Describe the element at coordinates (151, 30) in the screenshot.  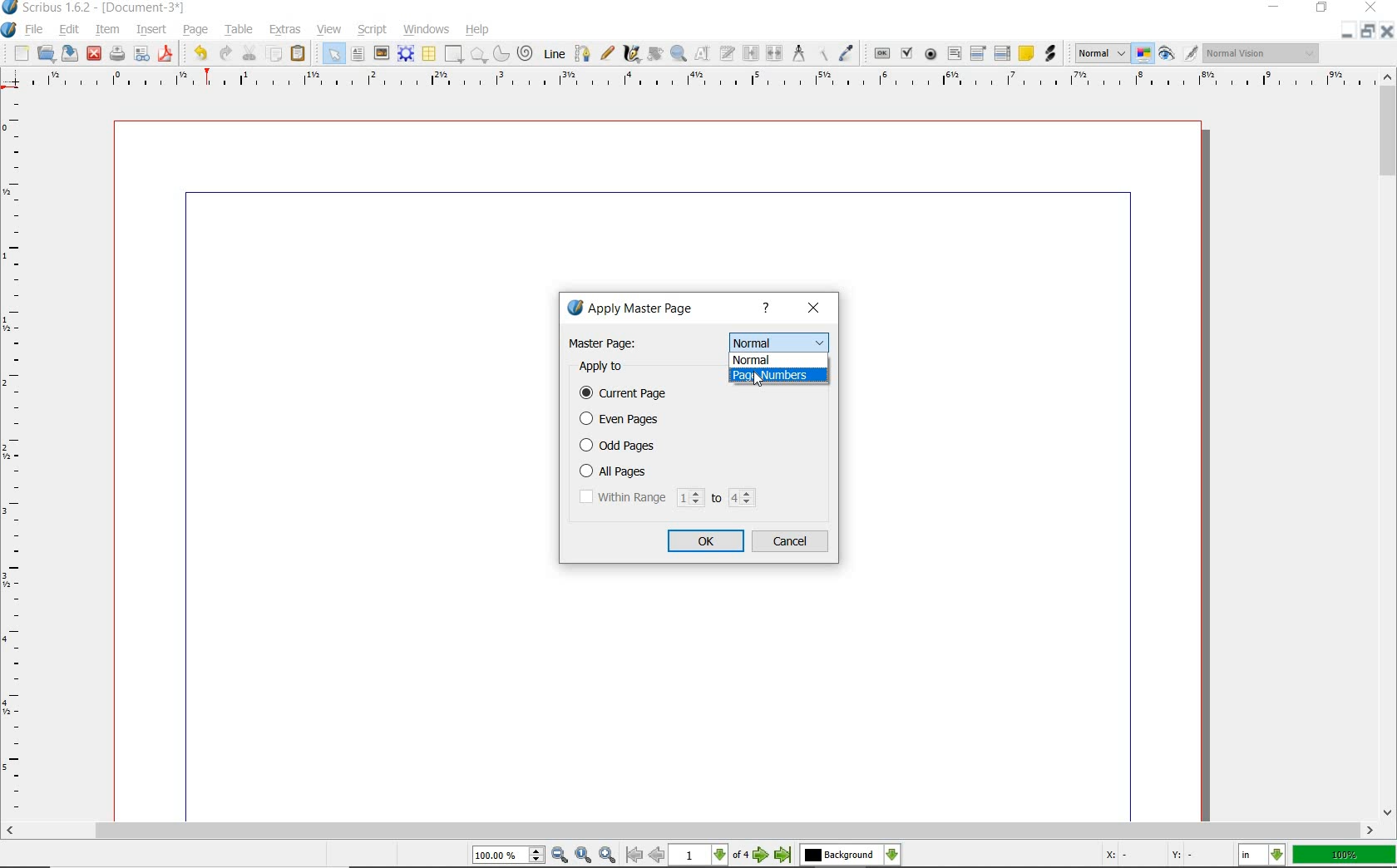
I see `insert` at that location.